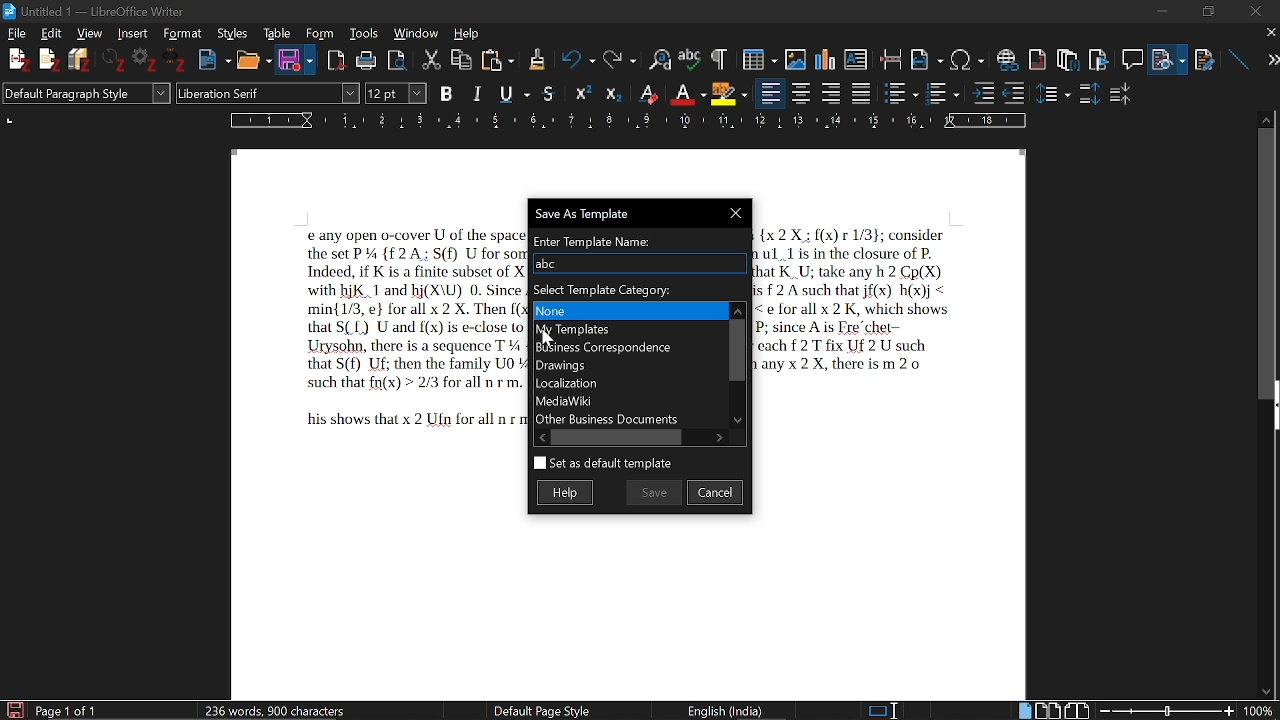 The height and width of the screenshot is (720, 1280). I want to click on , so click(585, 92).